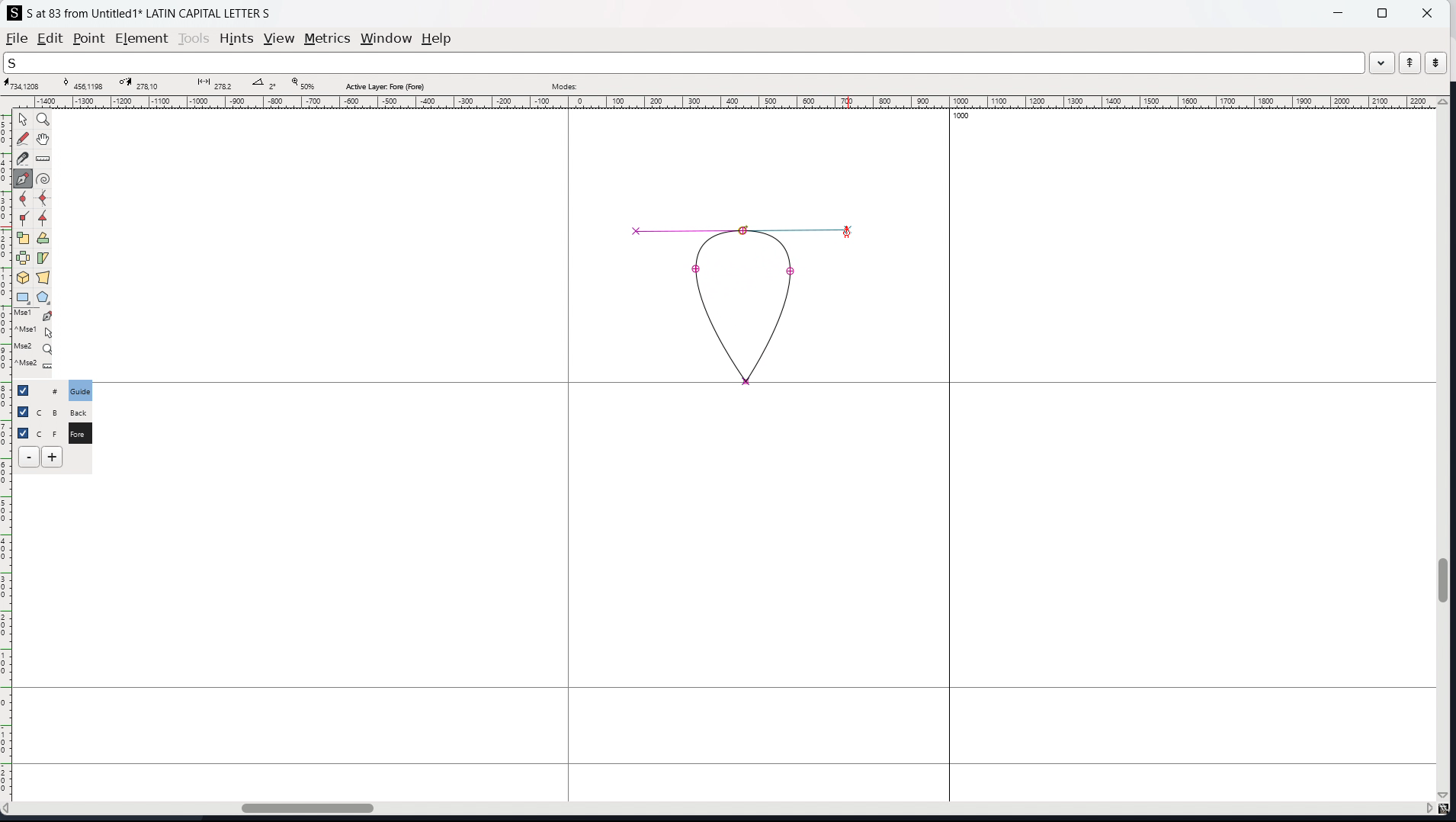 This screenshot has height=822, width=1456. Describe the element at coordinates (43, 159) in the screenshot. I see `measure distance, angle between two points` at that location.